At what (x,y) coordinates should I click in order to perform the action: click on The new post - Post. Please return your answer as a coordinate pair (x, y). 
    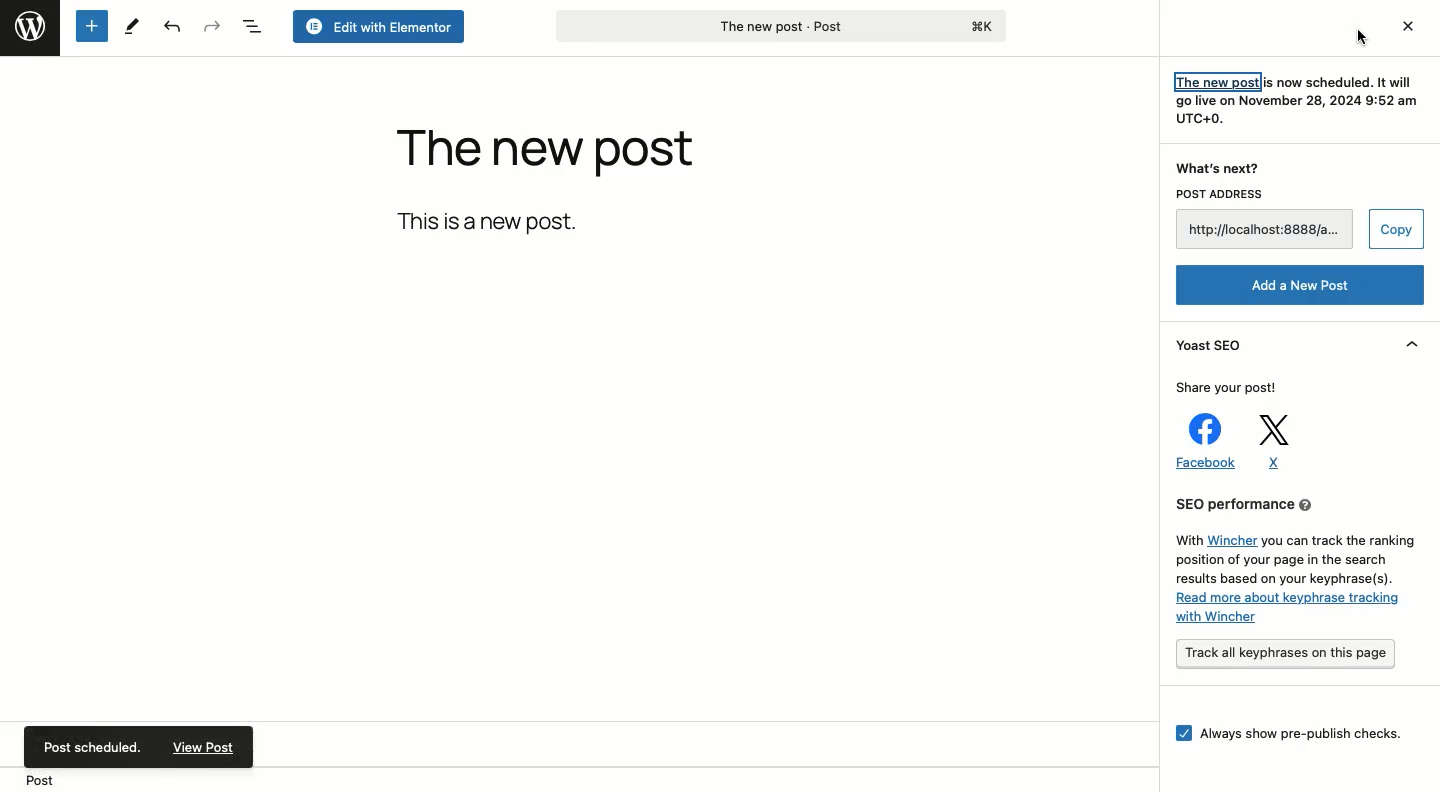
    Looking at the image, I should click on (779, 27).